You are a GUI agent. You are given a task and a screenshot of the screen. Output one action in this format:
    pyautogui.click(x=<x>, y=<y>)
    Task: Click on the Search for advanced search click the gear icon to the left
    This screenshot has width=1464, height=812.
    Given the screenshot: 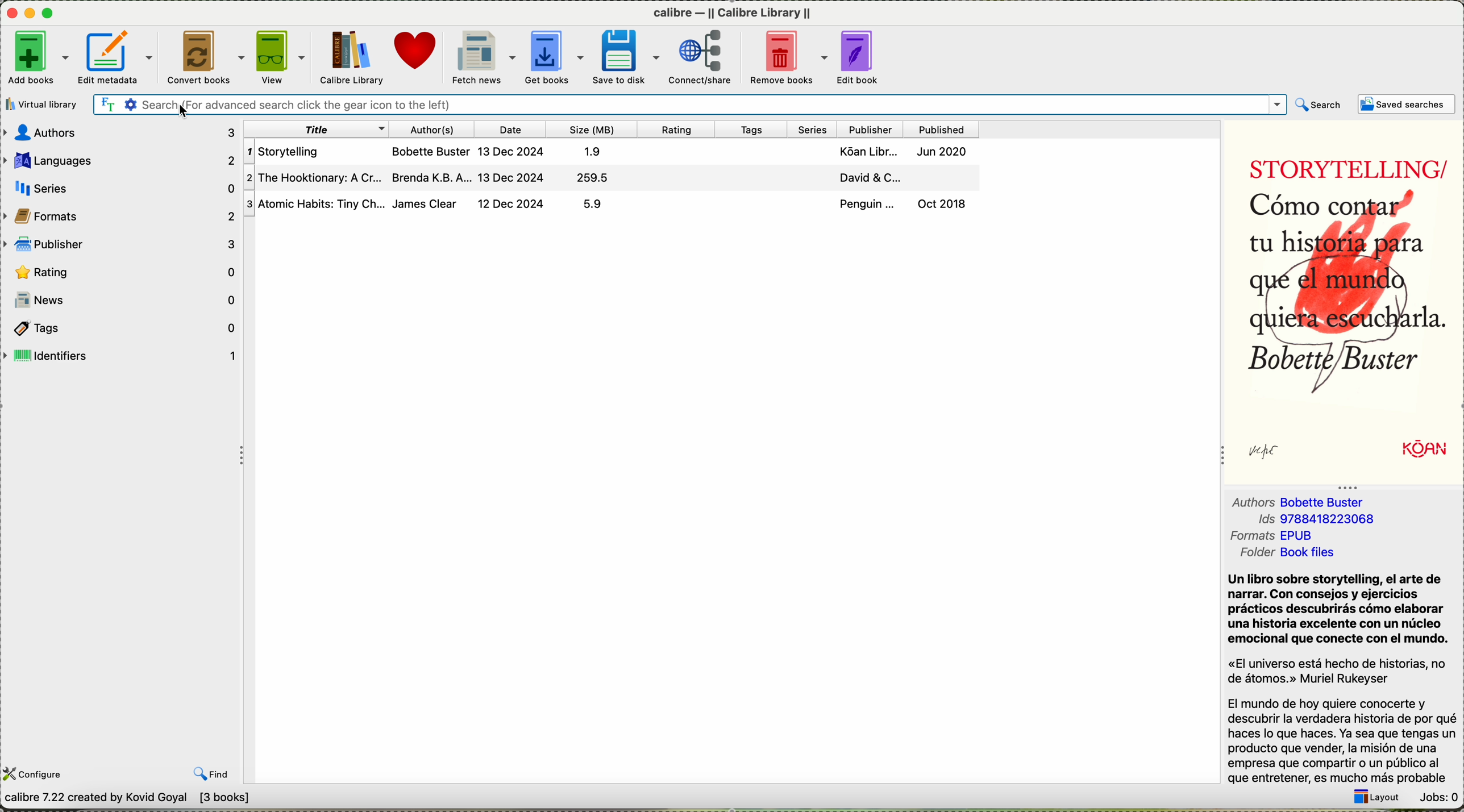 What is the action you would take?
    pyautogui.click(x=673, y=105)
    